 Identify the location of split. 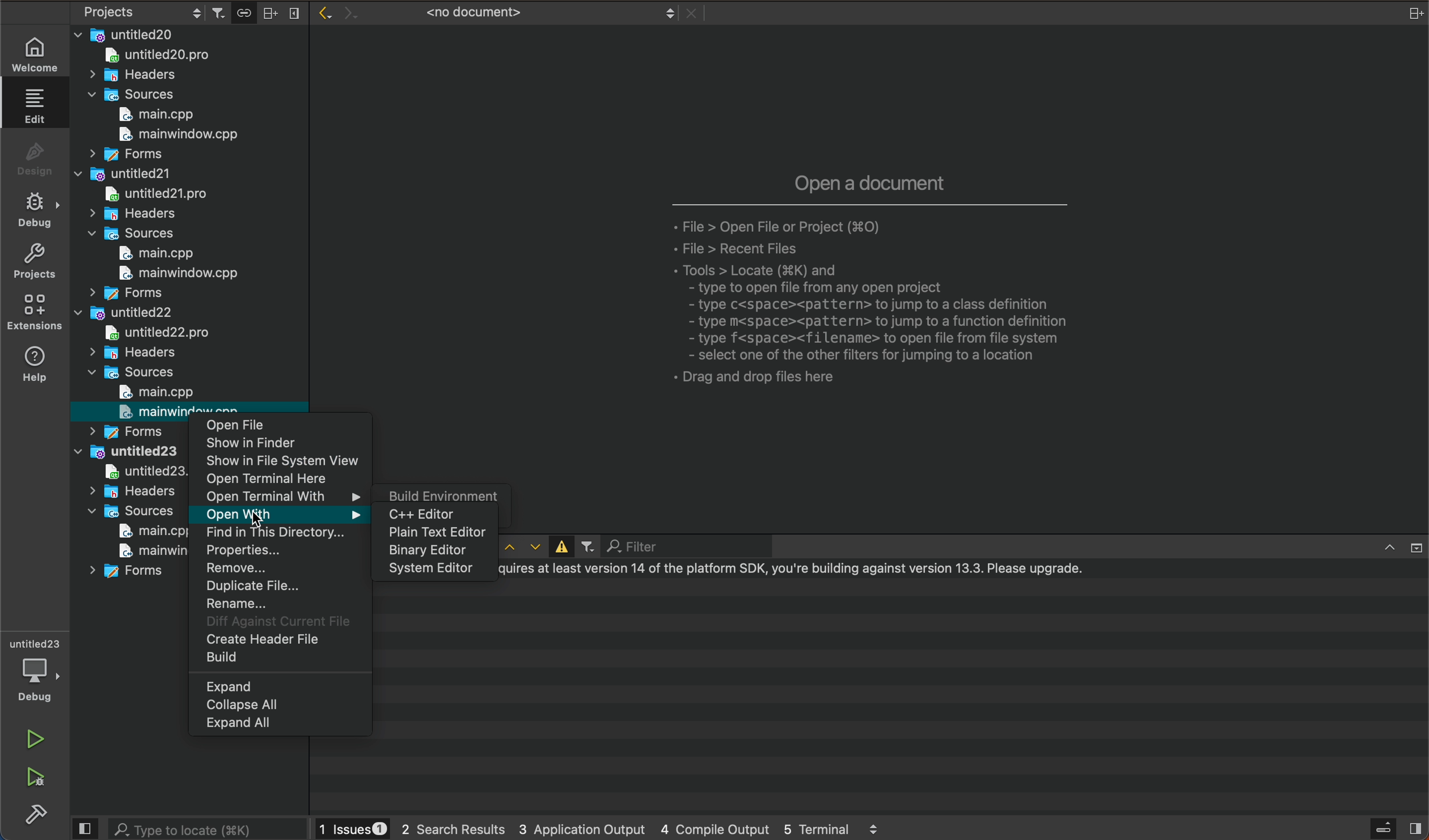
(1411, 14).